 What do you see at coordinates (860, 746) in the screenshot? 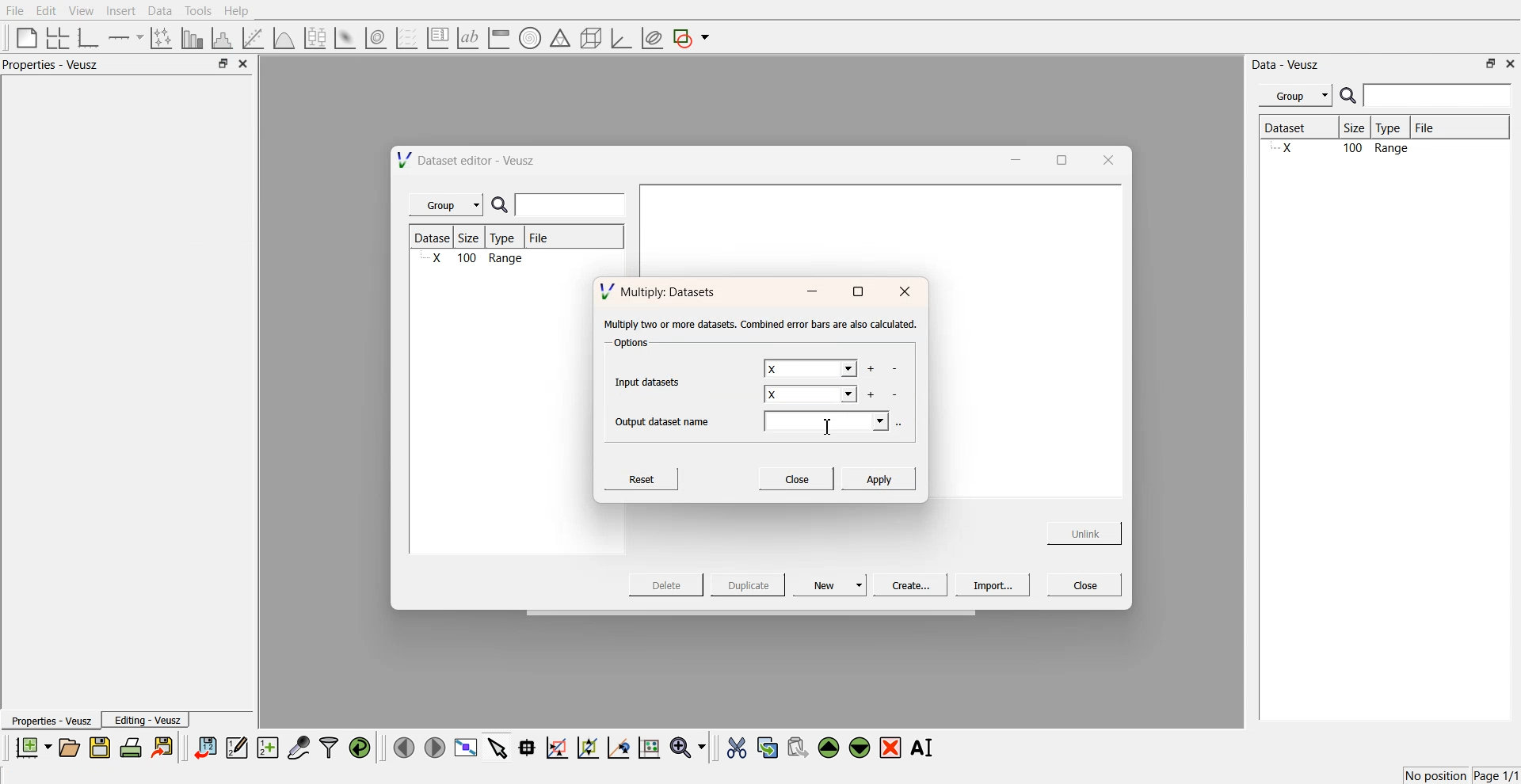
I see `move  the selected widgets down` at bounding box center [860, 746].